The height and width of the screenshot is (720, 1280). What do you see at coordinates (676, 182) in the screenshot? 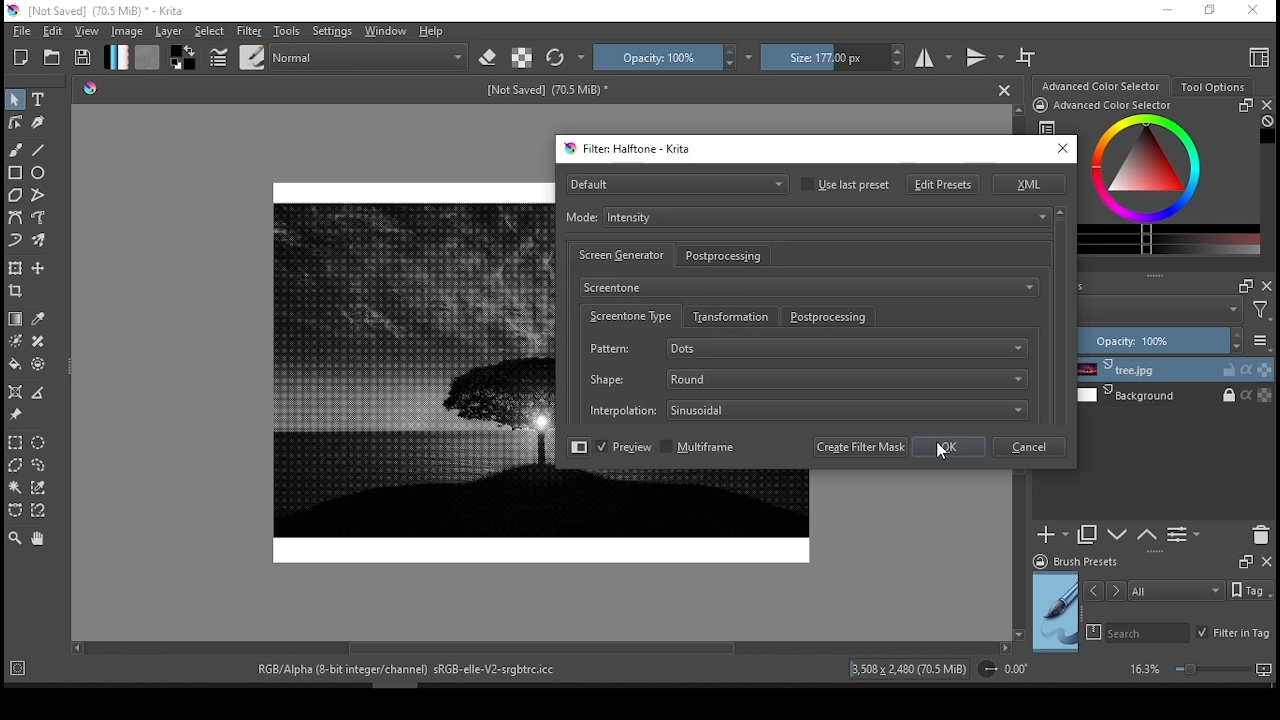
I see `select preset` at bounding box center [676, 182].